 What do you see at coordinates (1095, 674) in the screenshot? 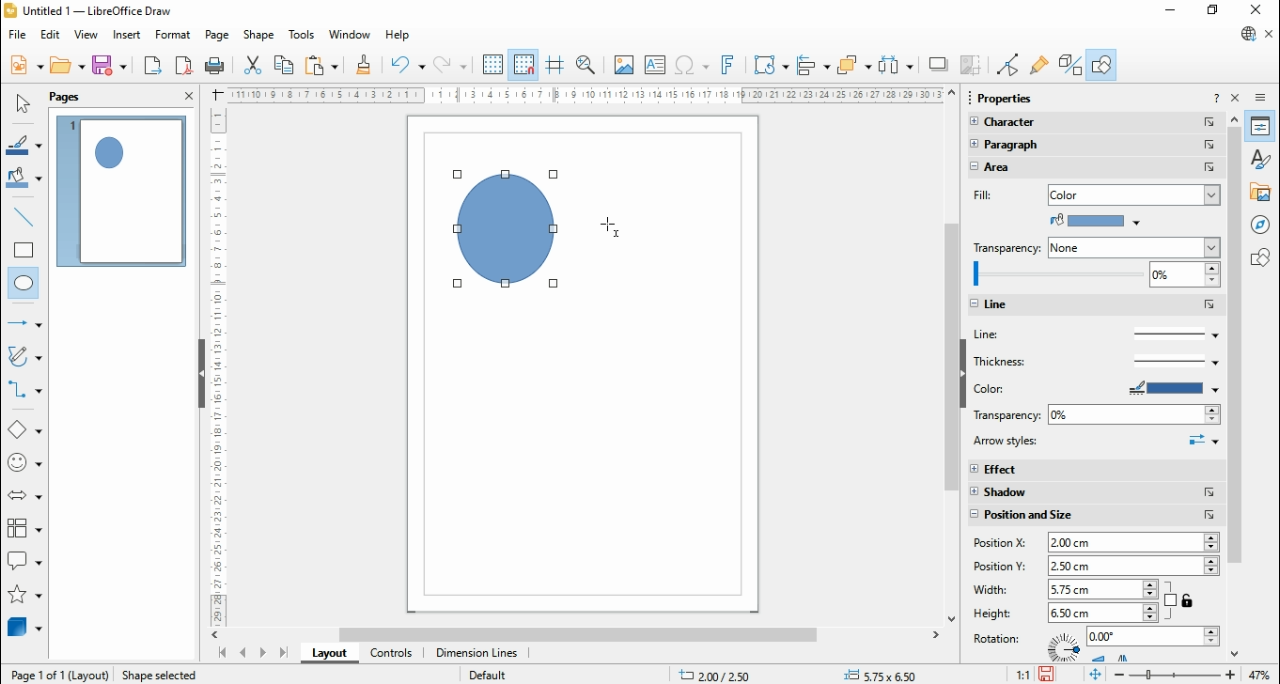
I see `fir page to current window` at bounding box center [1095, 674].